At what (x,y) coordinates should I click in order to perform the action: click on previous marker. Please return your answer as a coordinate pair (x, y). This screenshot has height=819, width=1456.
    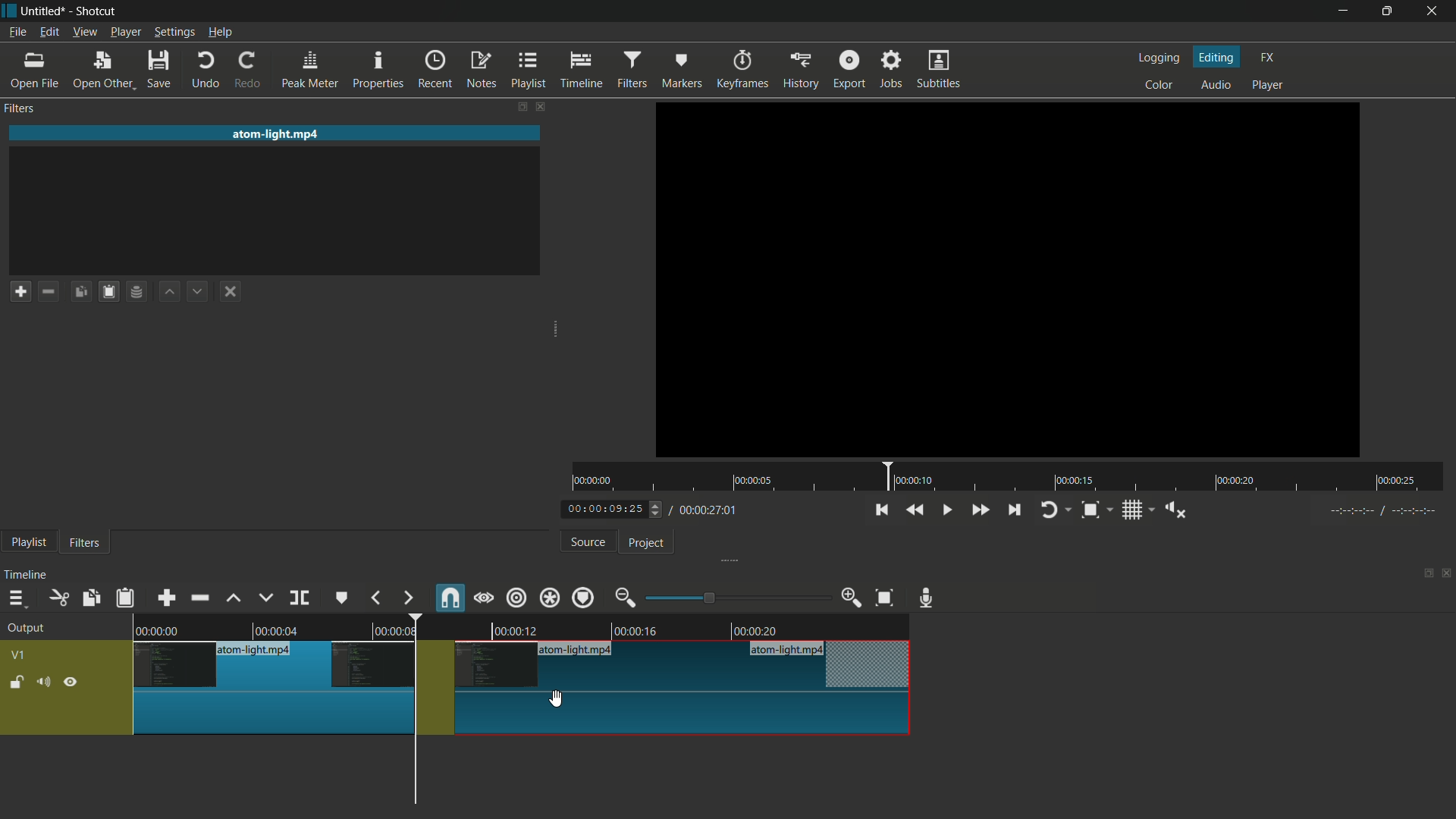
    Looking at the image, I should click on (377, 598).